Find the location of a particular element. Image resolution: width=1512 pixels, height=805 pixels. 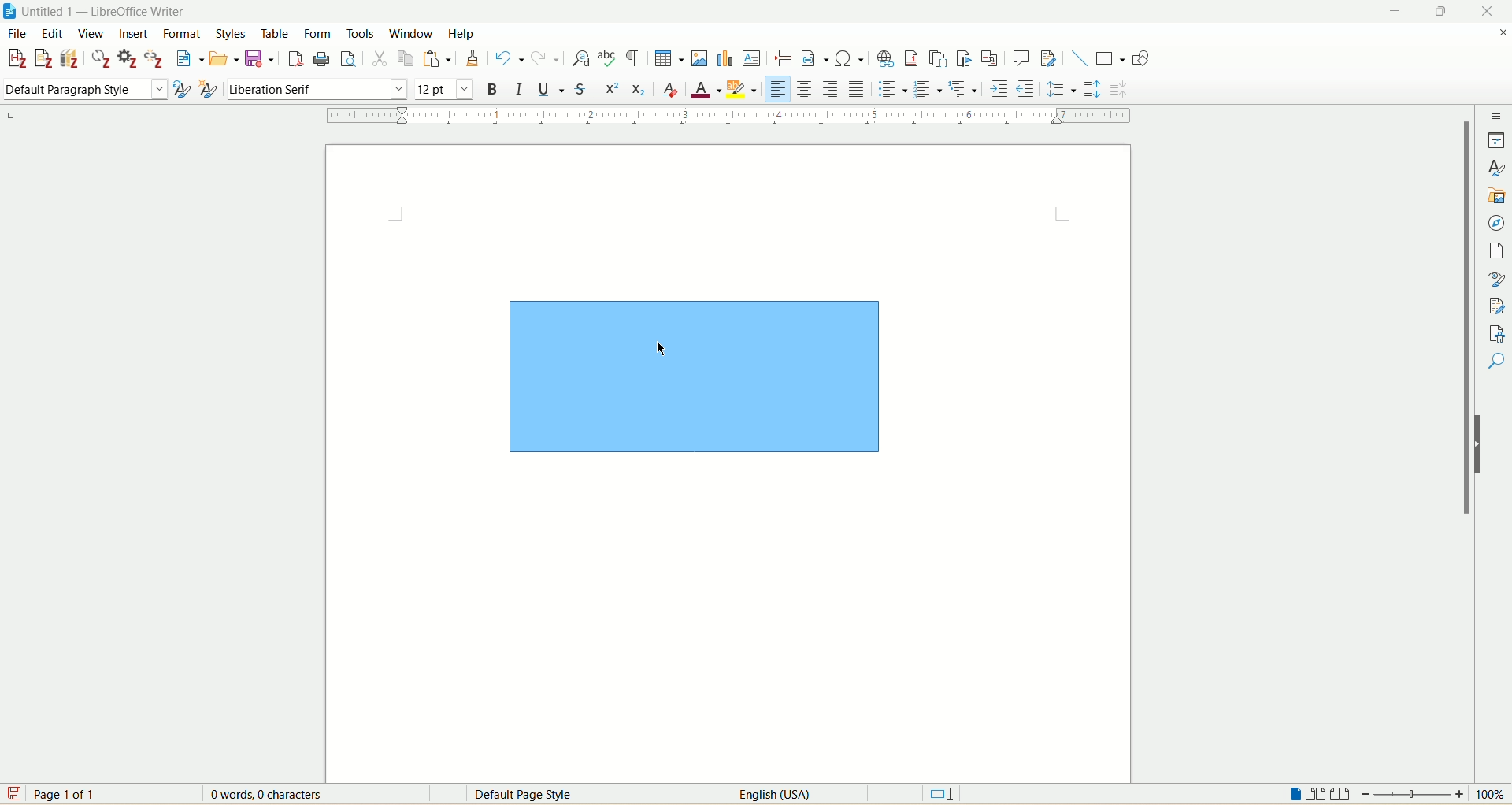

title is located at coordinates (106, 12).